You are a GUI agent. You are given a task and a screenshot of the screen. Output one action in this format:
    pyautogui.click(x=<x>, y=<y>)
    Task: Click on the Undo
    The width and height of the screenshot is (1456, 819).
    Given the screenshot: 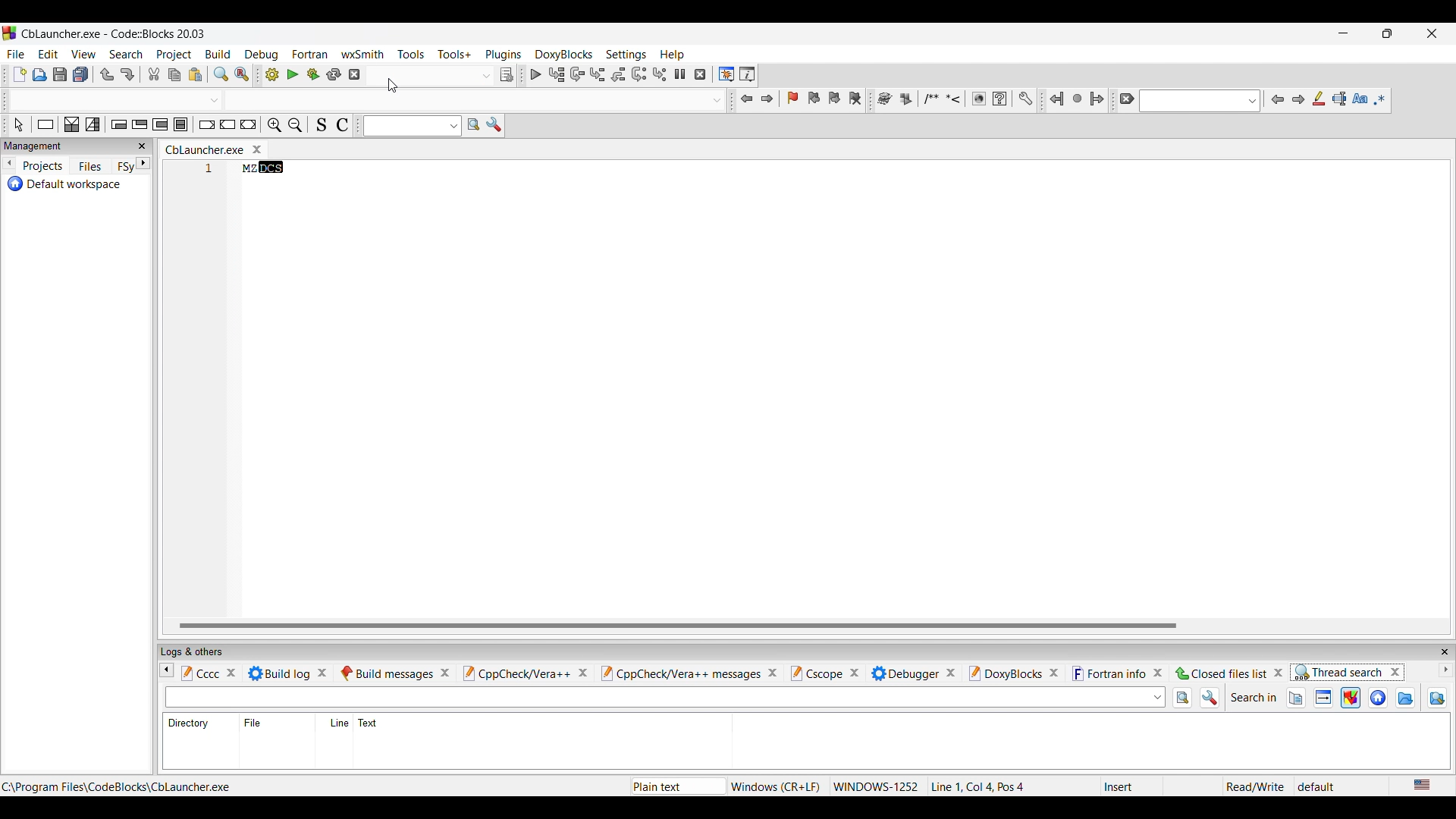 What is the action you would take?
    pyautogui.click(x=107, y=74)
    